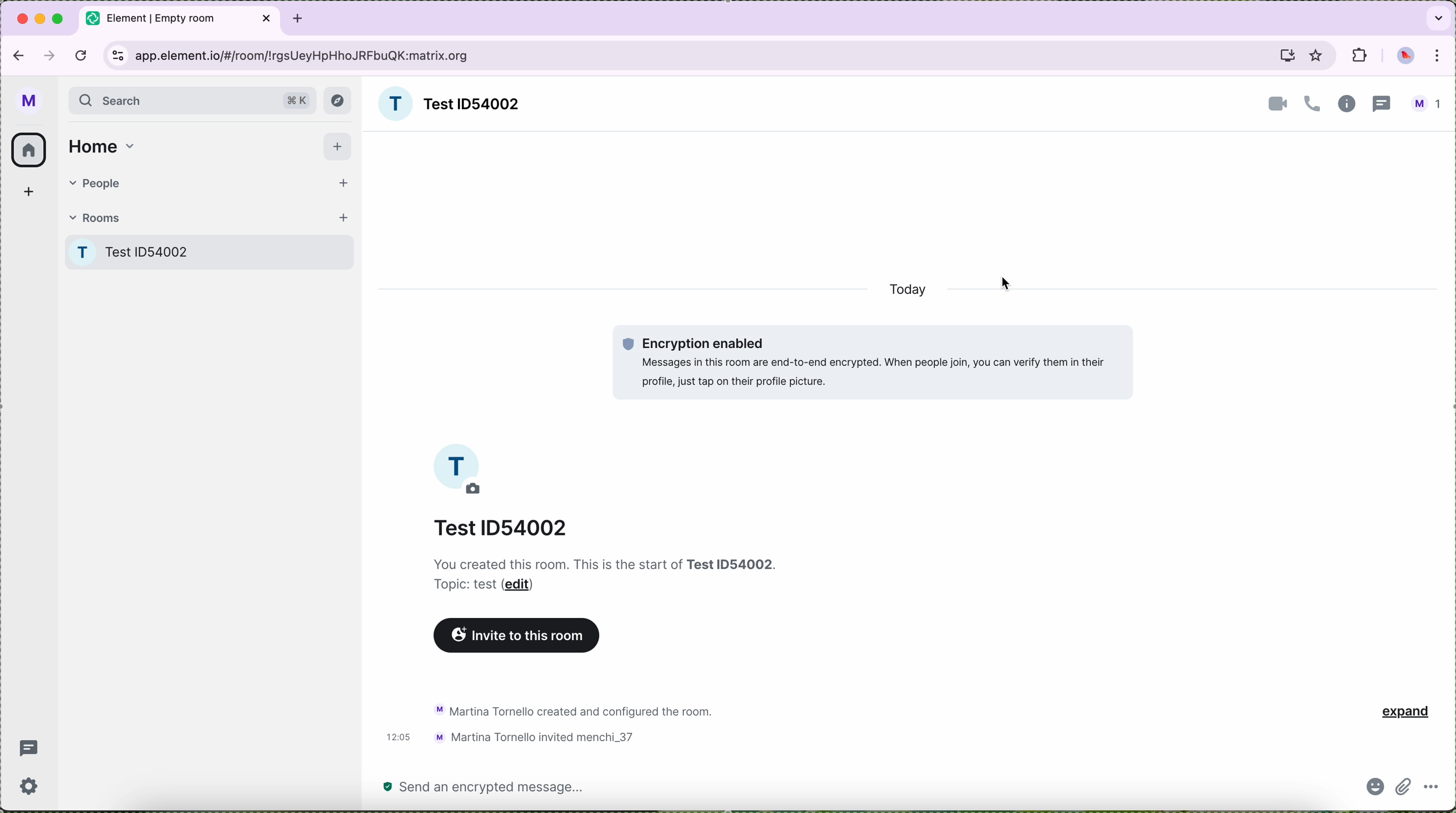 Image resolution: width=1456 pixels, height=813 pixels. I want to click on customize and control Google Chrome, so click(1440, 56).